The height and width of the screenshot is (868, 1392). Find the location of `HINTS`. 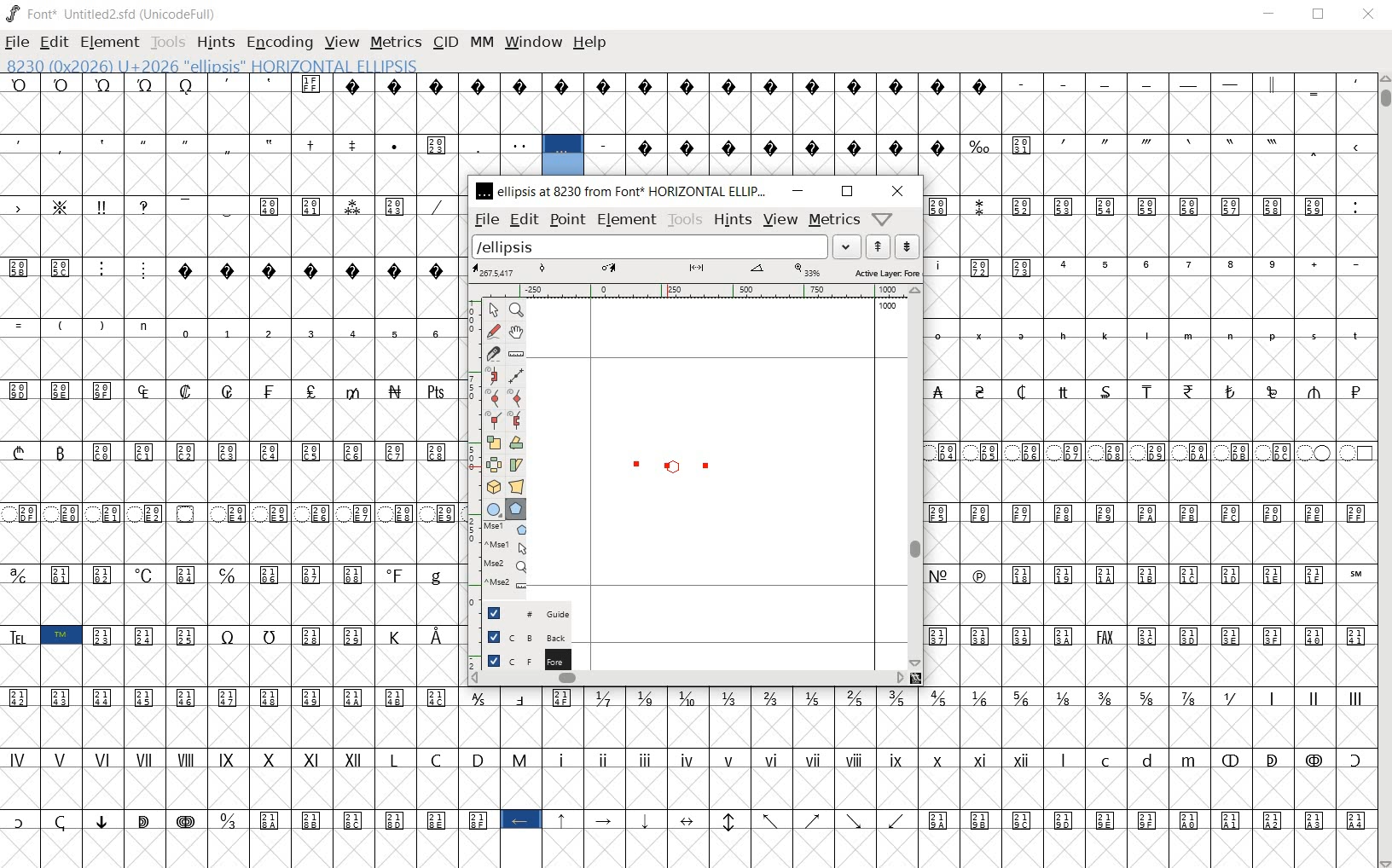

HINTS is located at coordinates (214, 44).